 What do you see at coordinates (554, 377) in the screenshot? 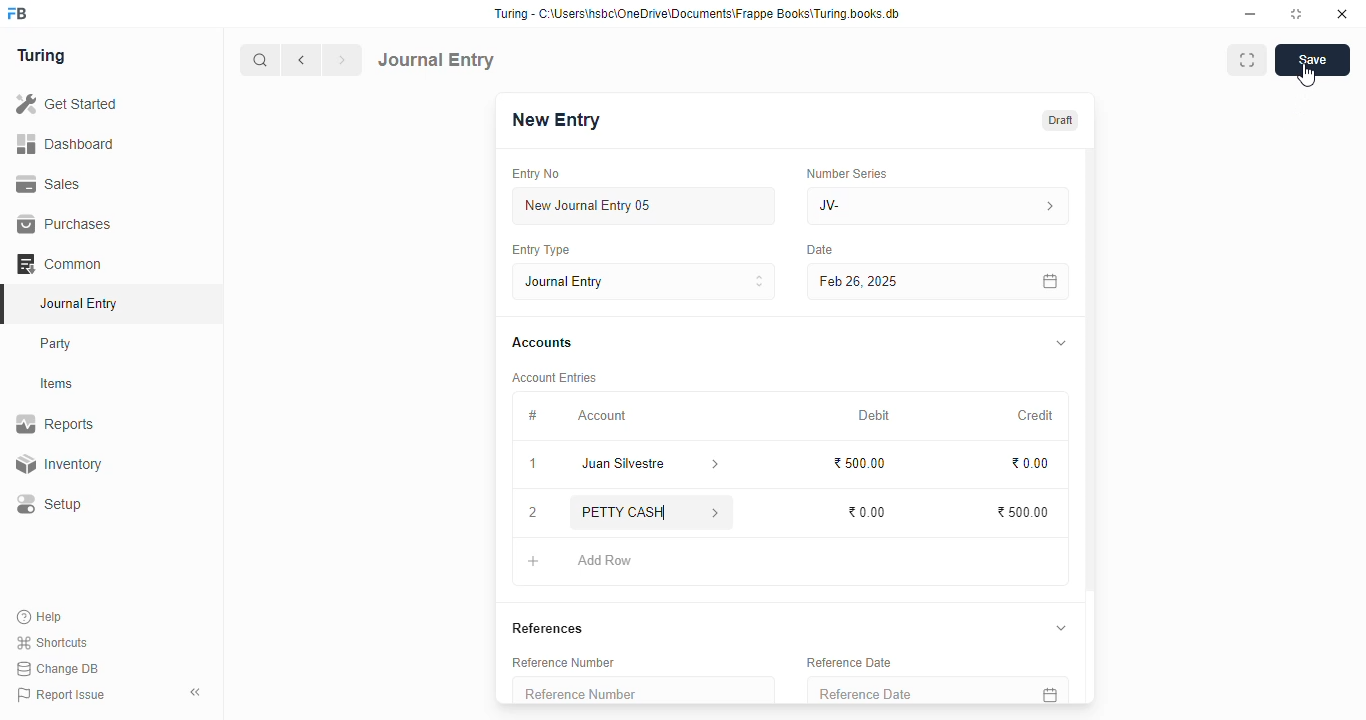
I see `account entries` at bounding box center [554, 377].